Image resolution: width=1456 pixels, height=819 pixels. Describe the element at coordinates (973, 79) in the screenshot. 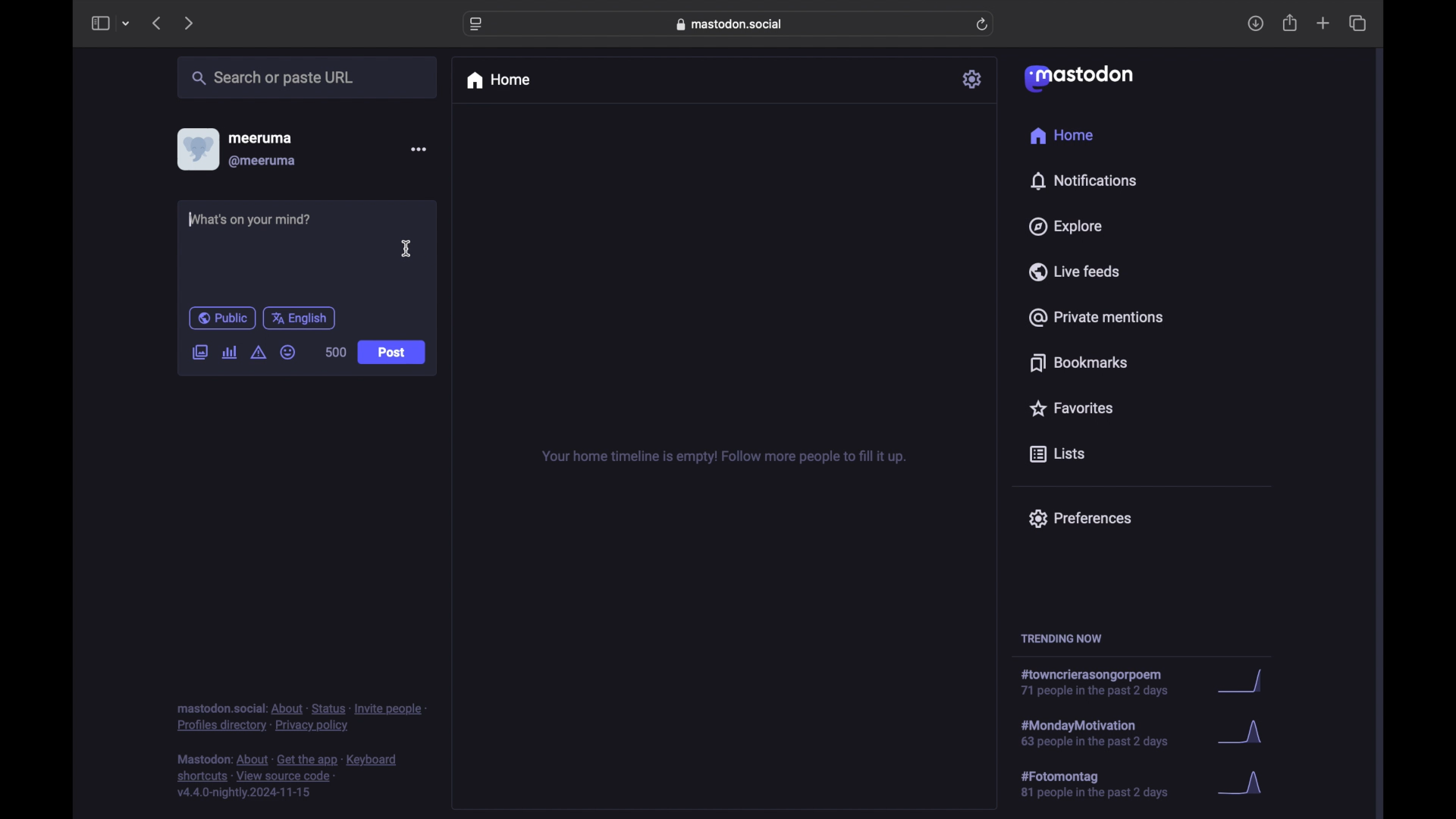

I see `settings` at that location.